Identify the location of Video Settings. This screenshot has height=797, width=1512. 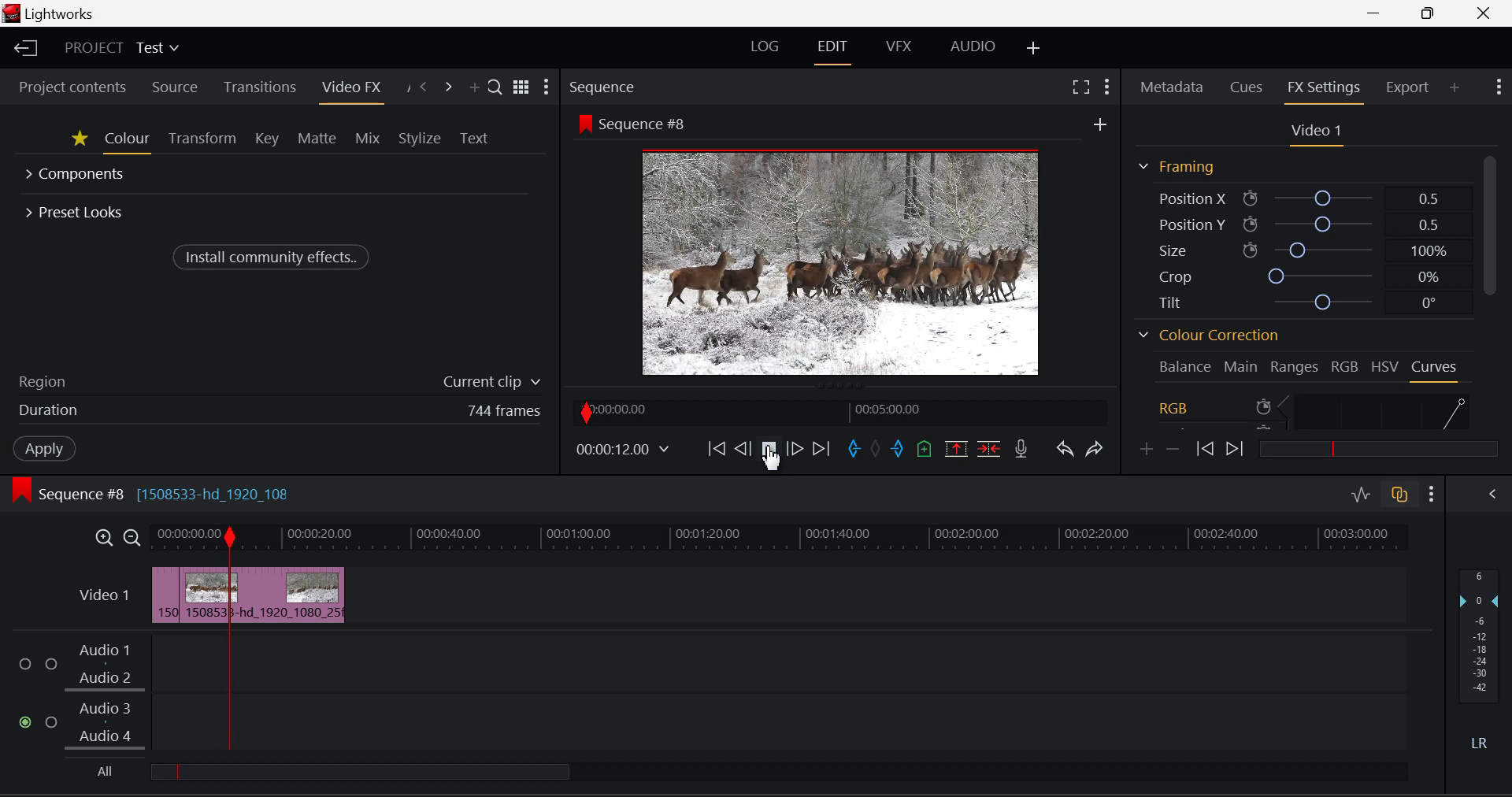
(1312, 132).